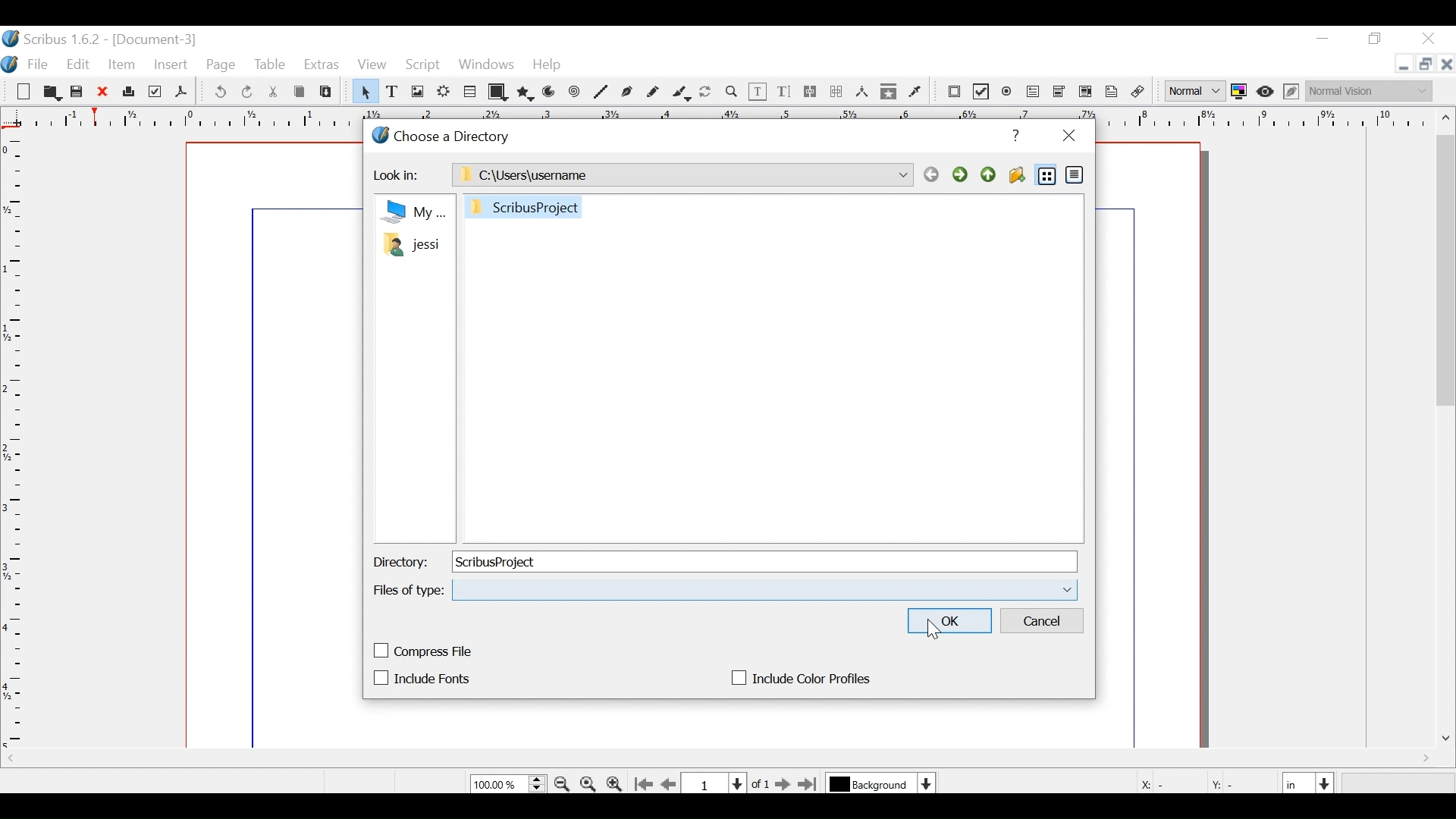 This screenshot has width=1456, height=819. I want to click on Open, so click(54, 93).